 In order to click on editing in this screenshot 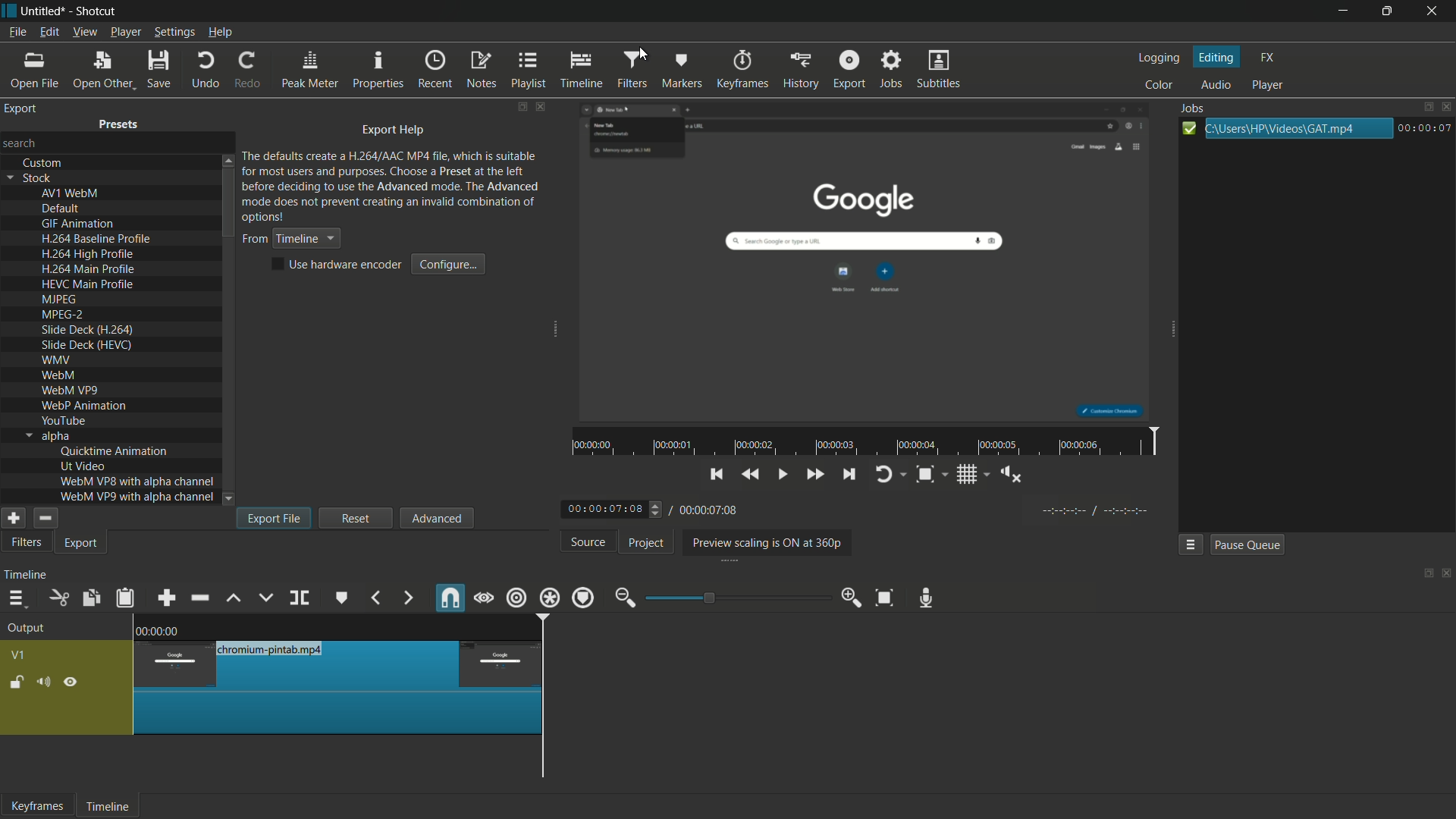, I will do `click(1218, 58)`.